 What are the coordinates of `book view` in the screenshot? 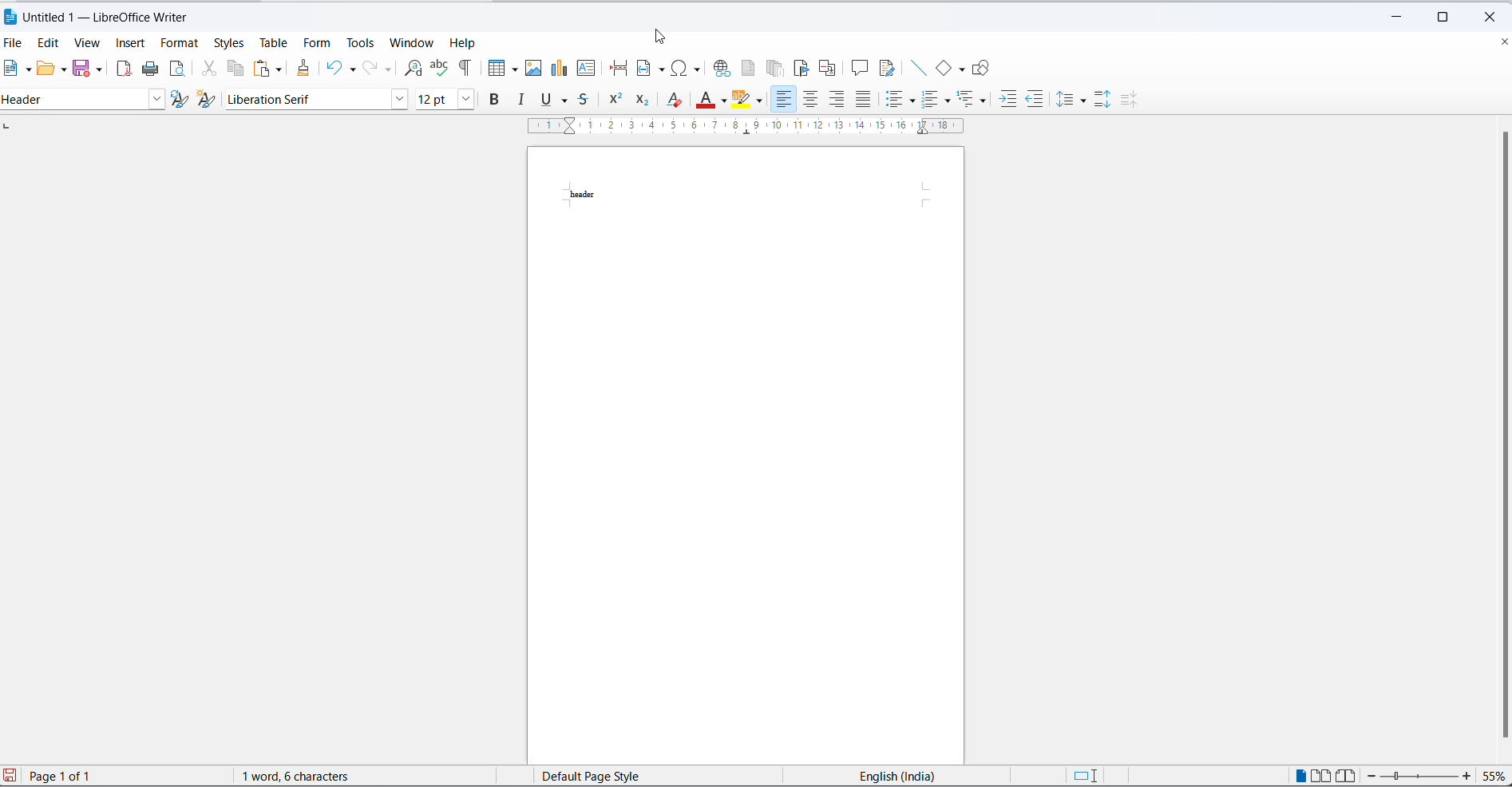 It's located at (1347, 777).